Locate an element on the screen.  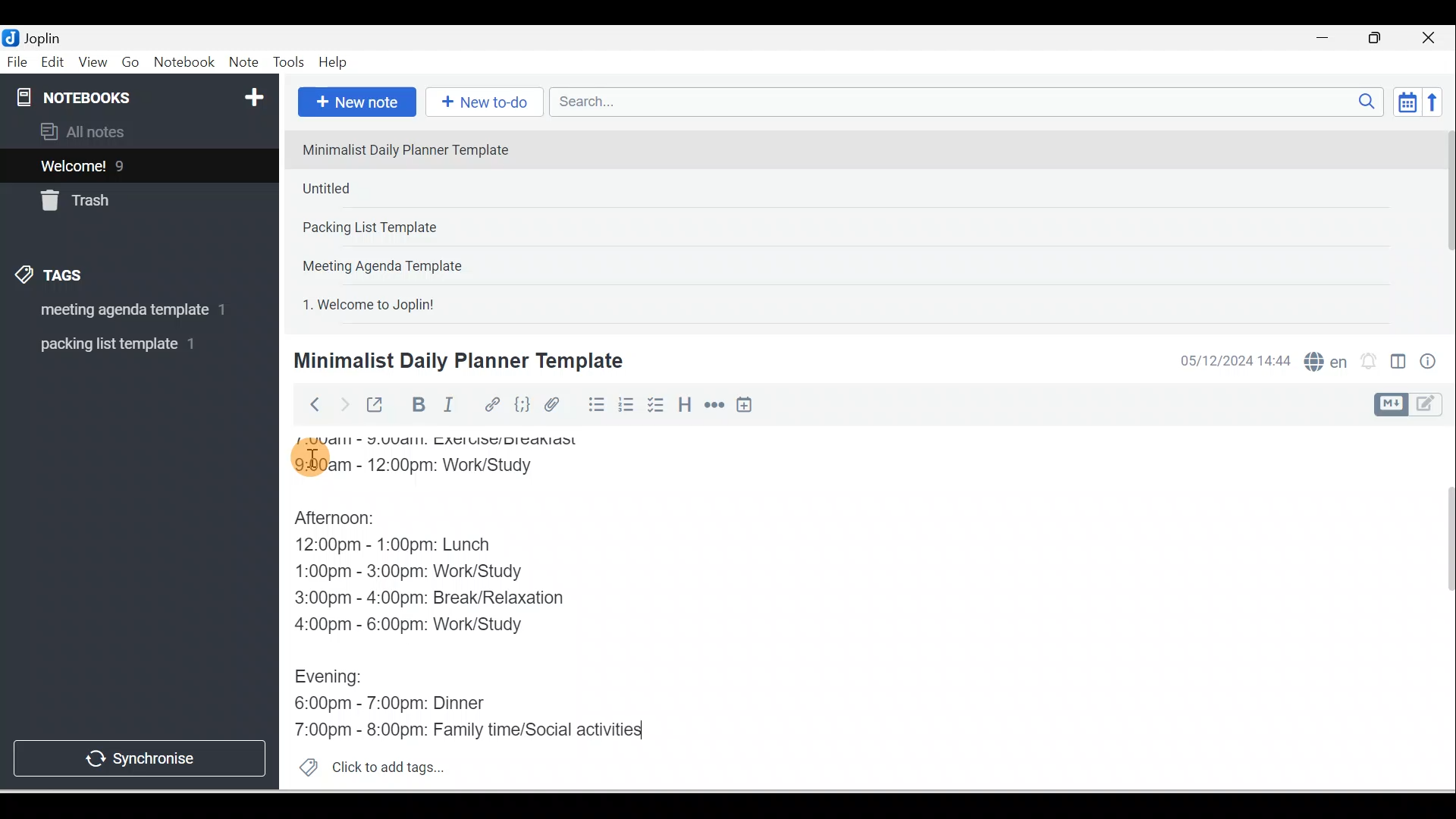
Note properties is located at coordinates (1429, 363).